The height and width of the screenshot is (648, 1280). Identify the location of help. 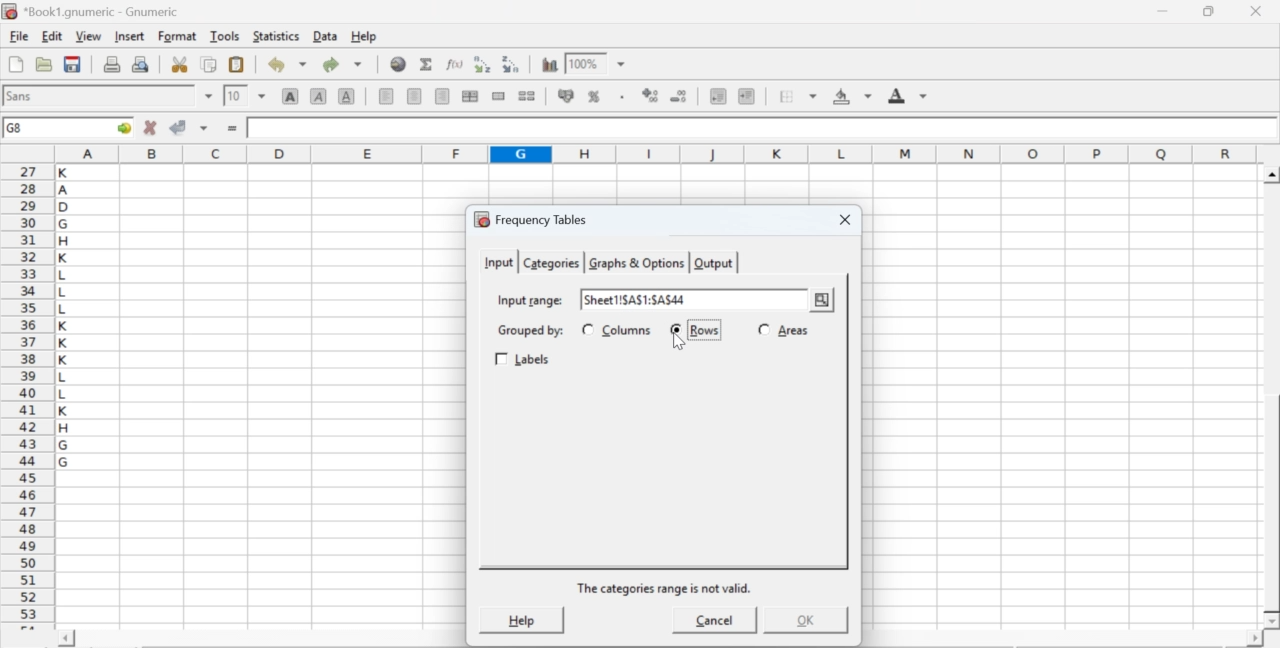
(366, 37).